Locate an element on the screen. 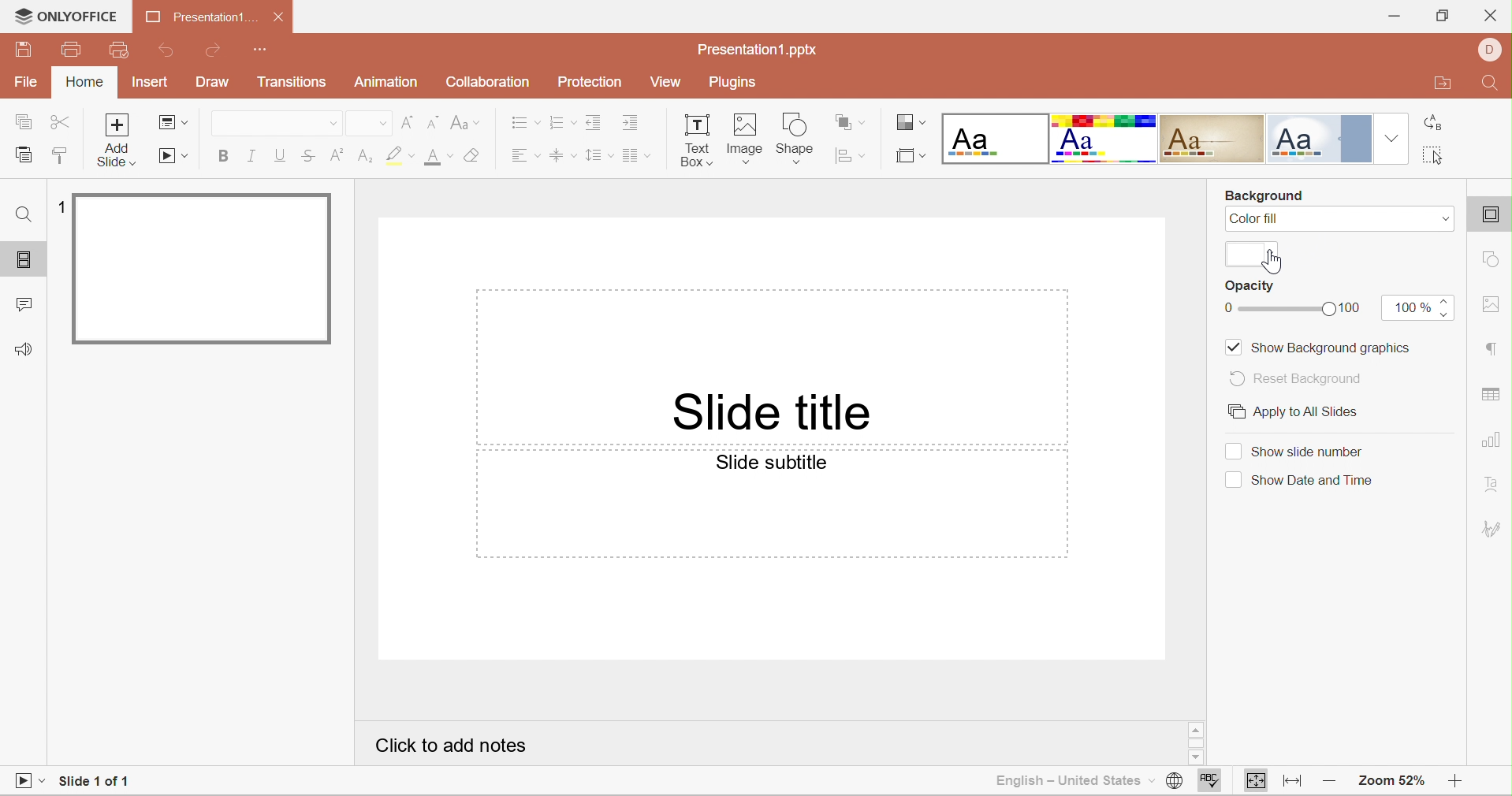 Image resolution: width=1512 pixels, height=796 pixels. Fit to width is located at coordinates (1295, 783).